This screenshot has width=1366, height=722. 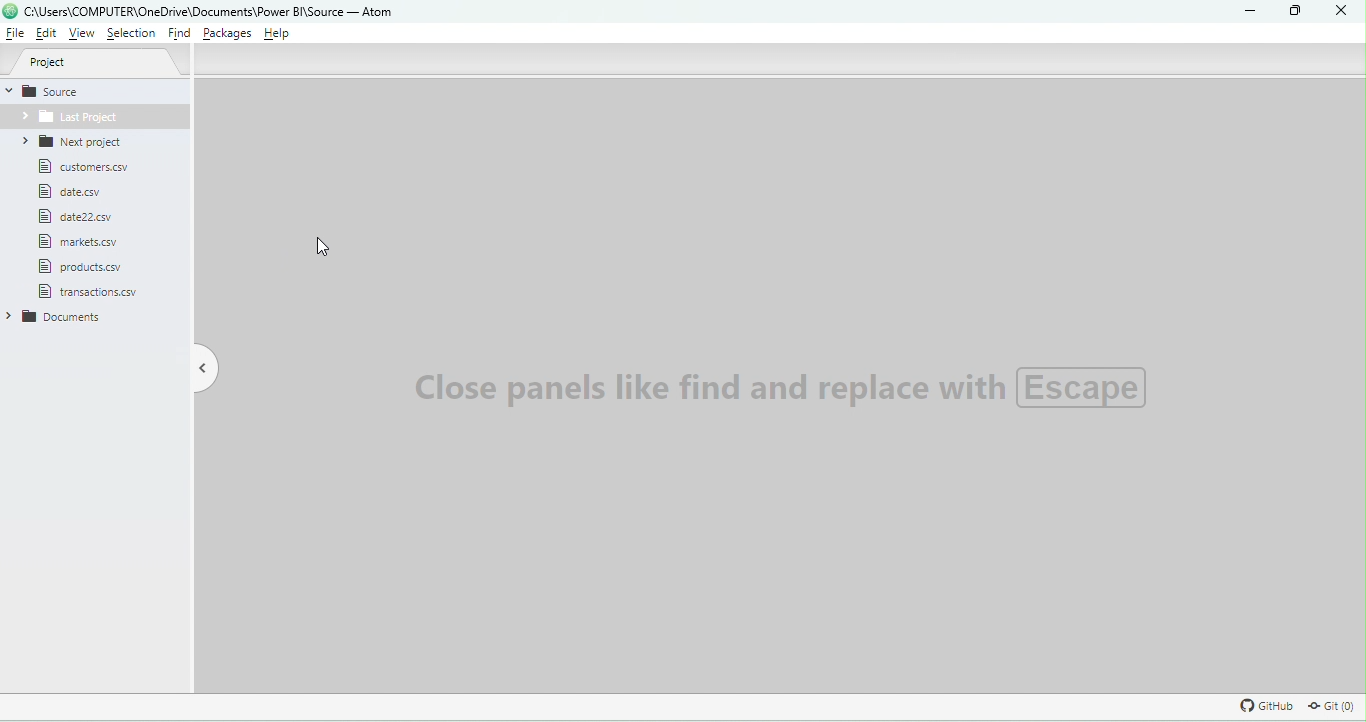 What do you see at coordinates (81, 242) in the screenshot?
I see `File` at bounding box center [81, 242].